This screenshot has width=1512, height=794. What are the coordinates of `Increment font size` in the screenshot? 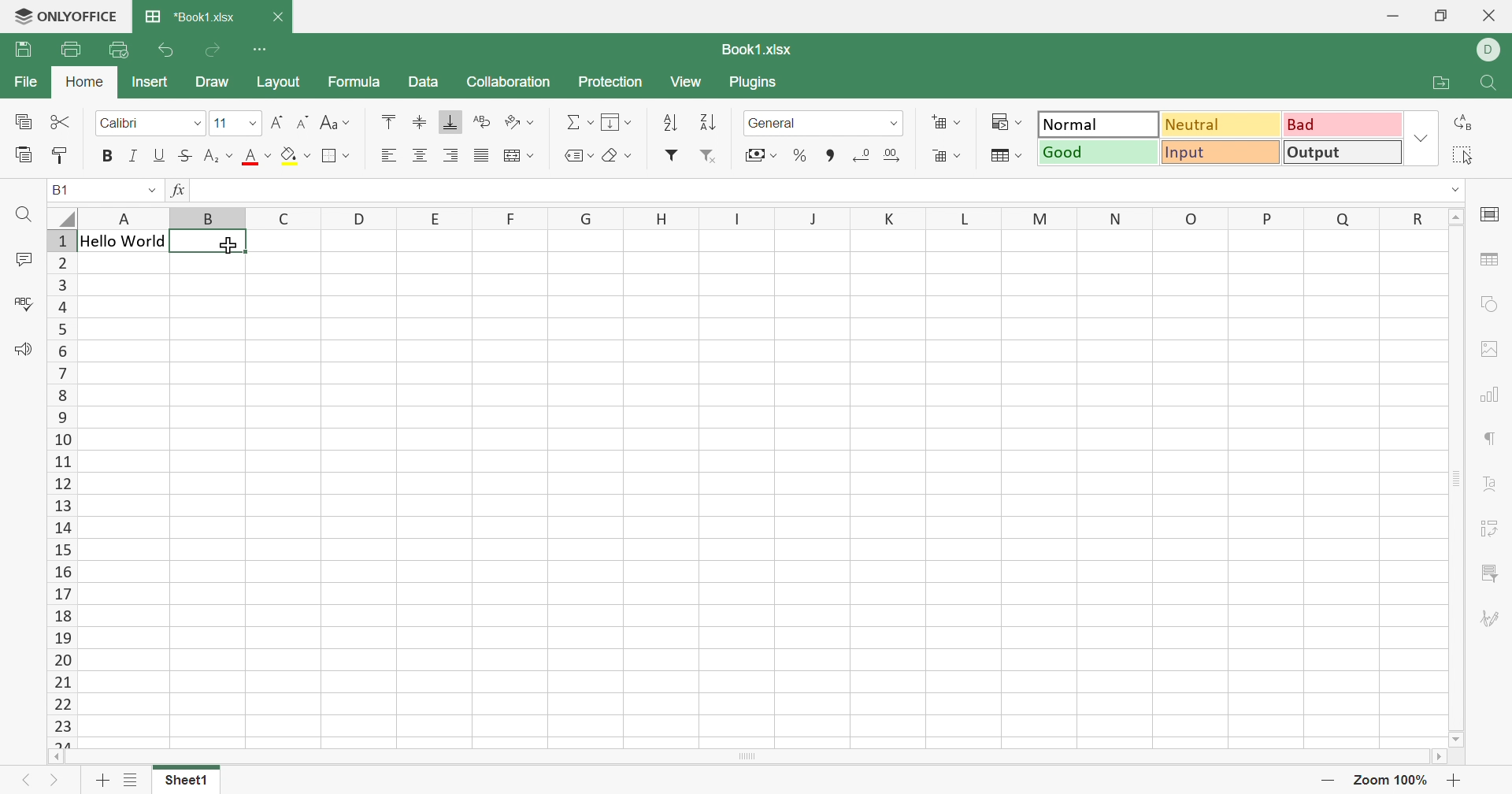 It's located at (279, 122).